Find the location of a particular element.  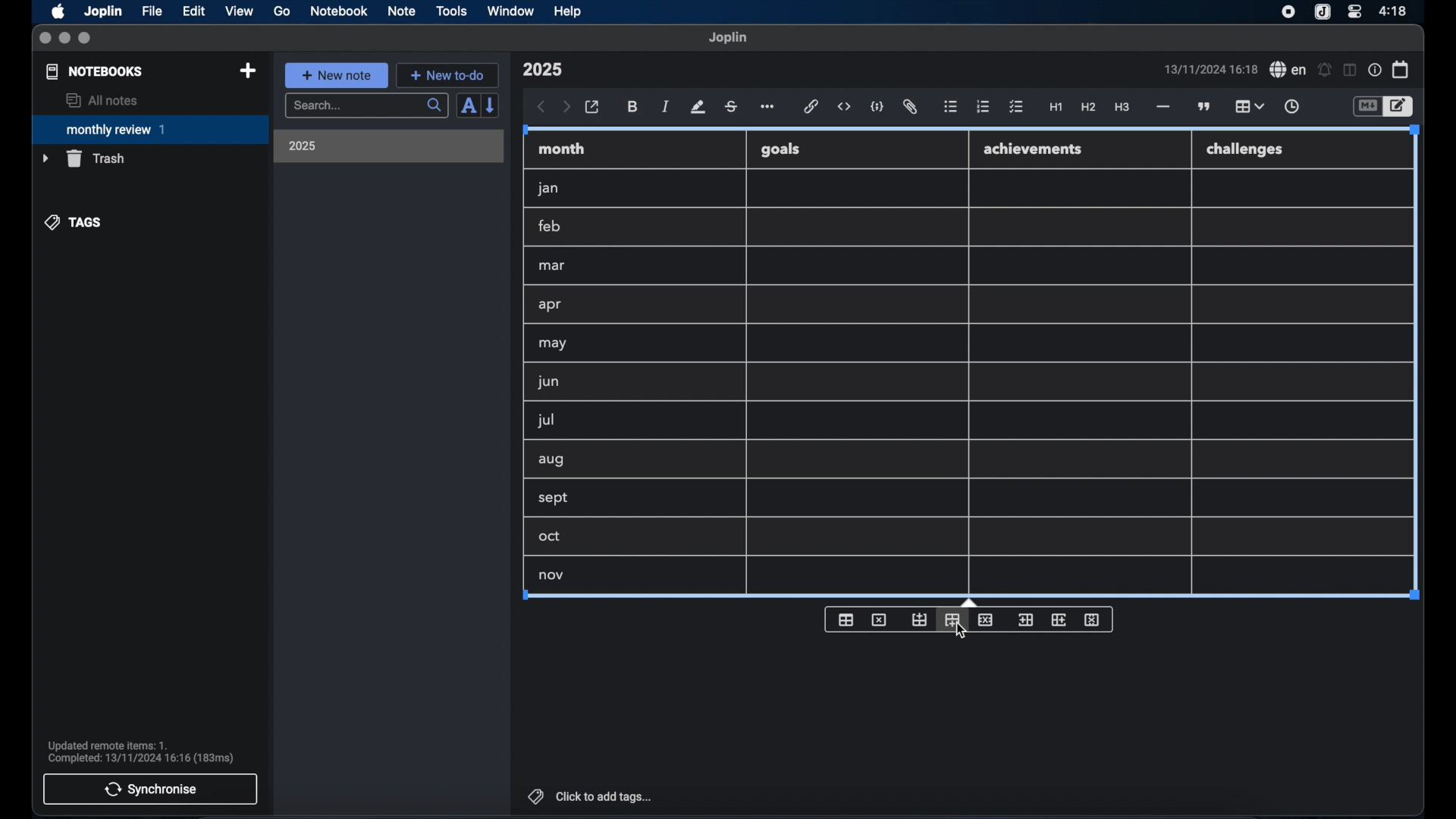

cursor is located at coordinates (962, 630).